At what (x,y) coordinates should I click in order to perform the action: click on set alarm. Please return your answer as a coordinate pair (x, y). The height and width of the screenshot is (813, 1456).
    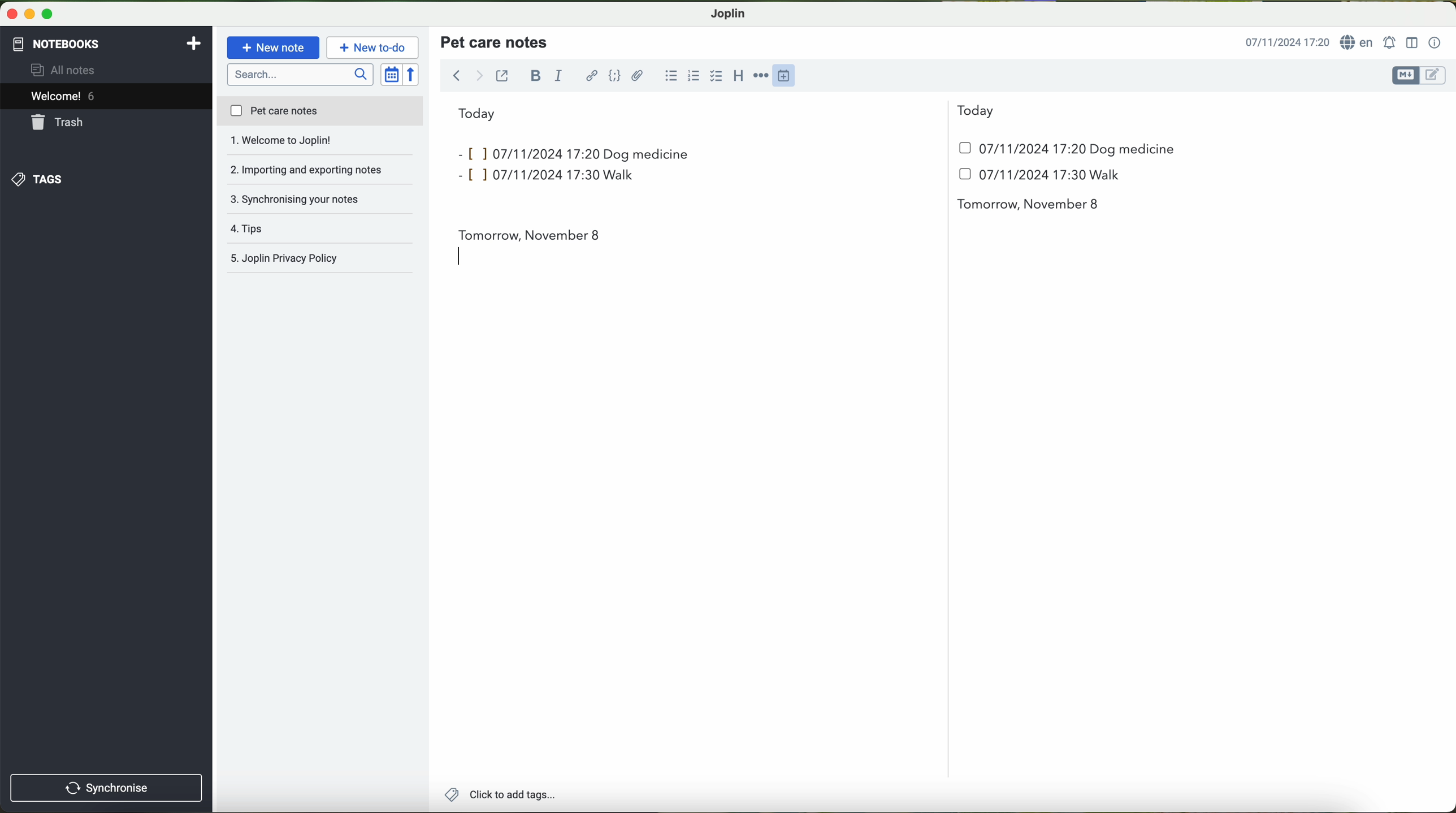
    Looking at the image, I should click on (1391, 42).